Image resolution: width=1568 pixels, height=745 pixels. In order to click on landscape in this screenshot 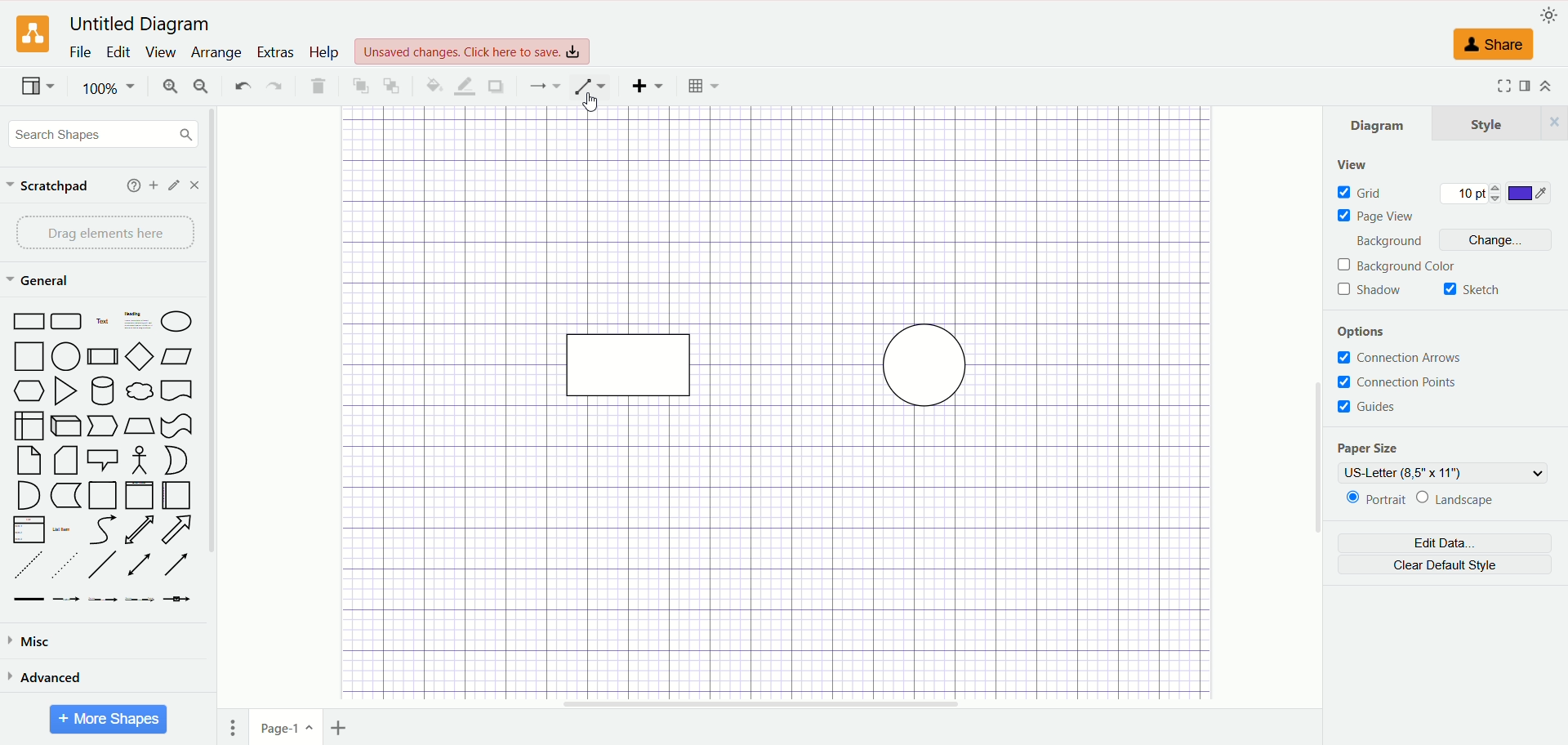, I will do `click(1454, 498)`.